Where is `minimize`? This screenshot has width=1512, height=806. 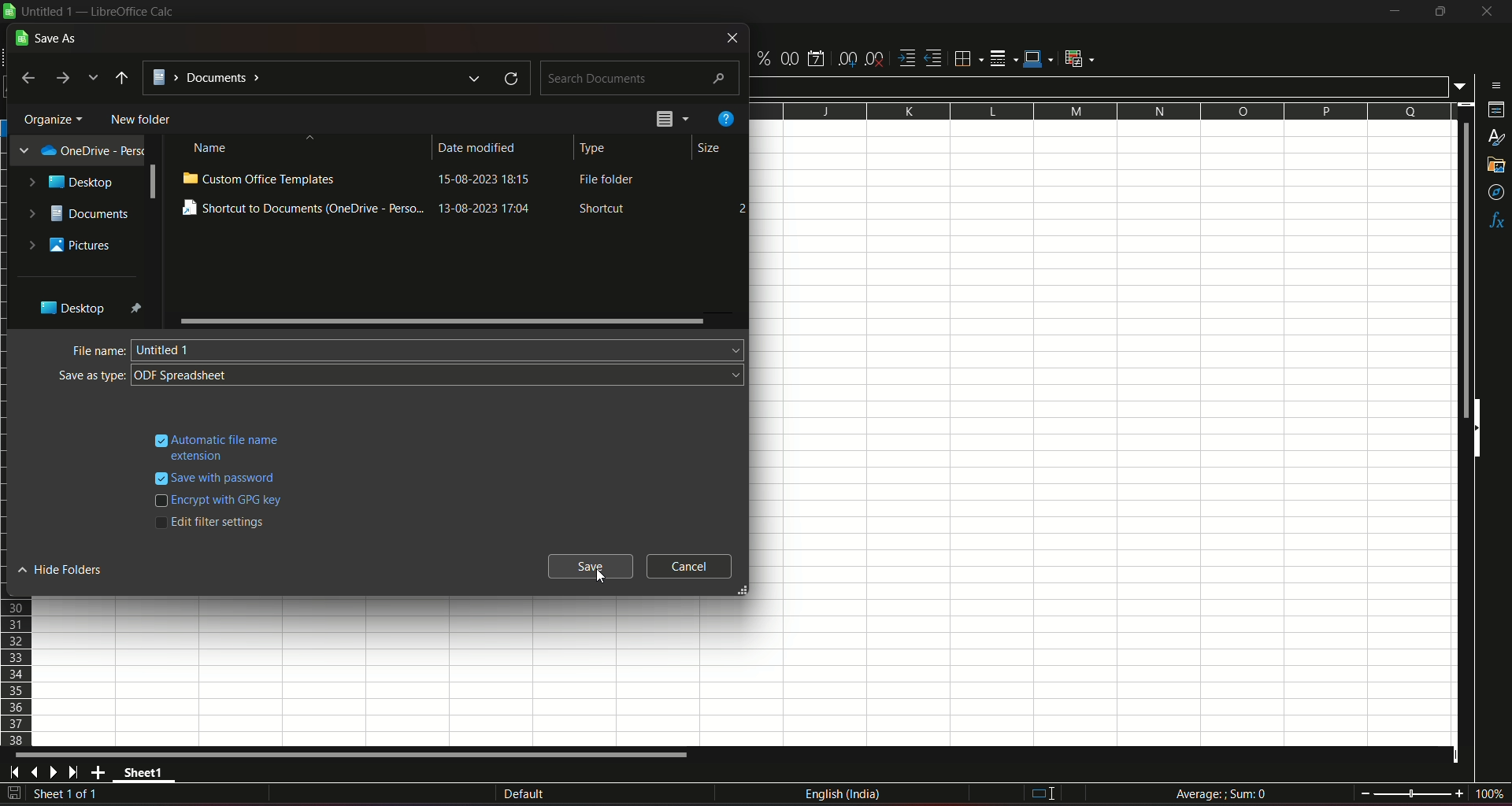 minimize is located at coordinates (1393, 12).